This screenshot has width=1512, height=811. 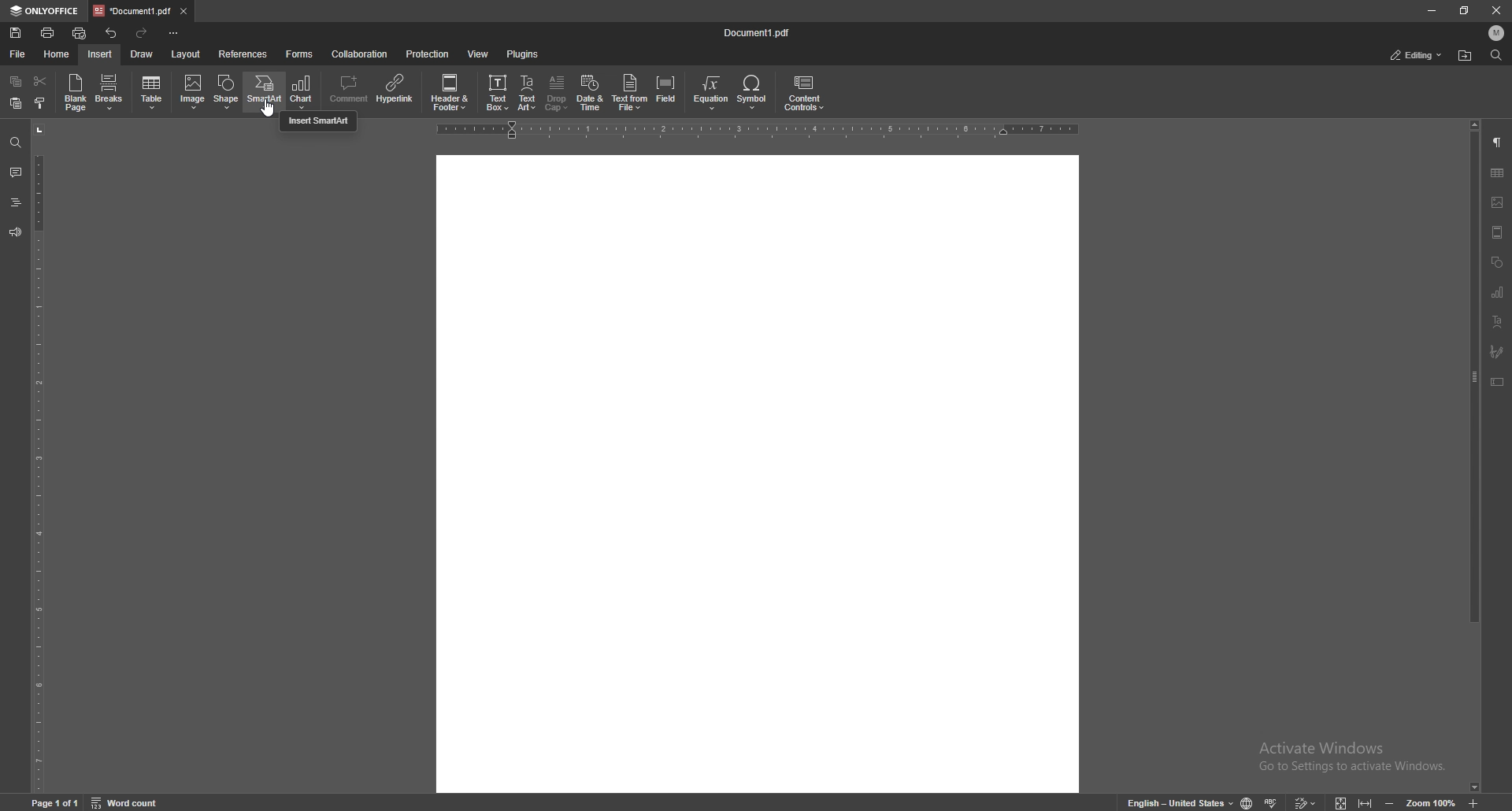 What do you see at coordinates (360, 54) in the screenshot?
I see `collaboration` at bounding box center [360, 54].